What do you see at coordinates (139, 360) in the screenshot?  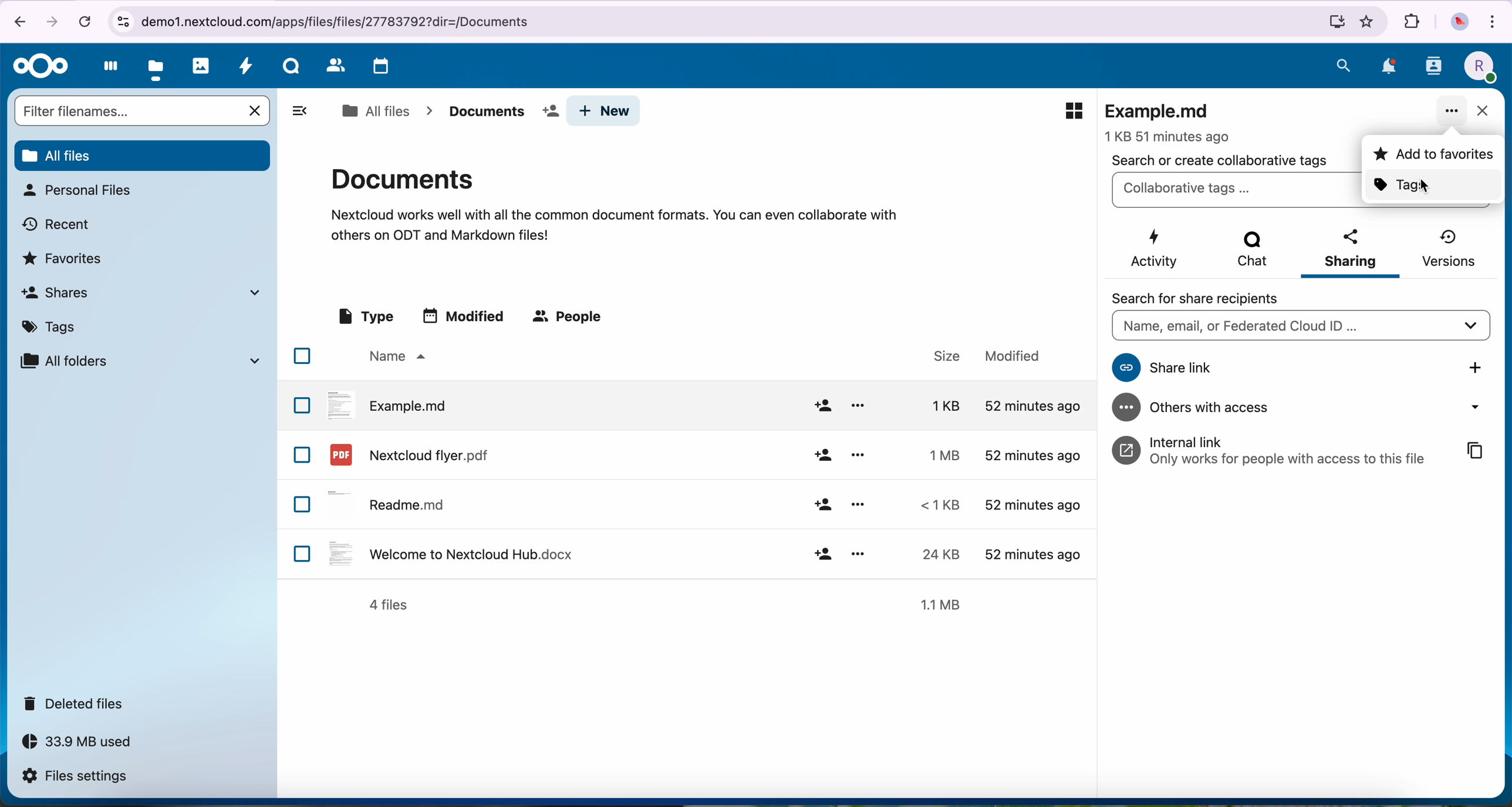 I see `all folders tab` at bounding box center [139, 360].